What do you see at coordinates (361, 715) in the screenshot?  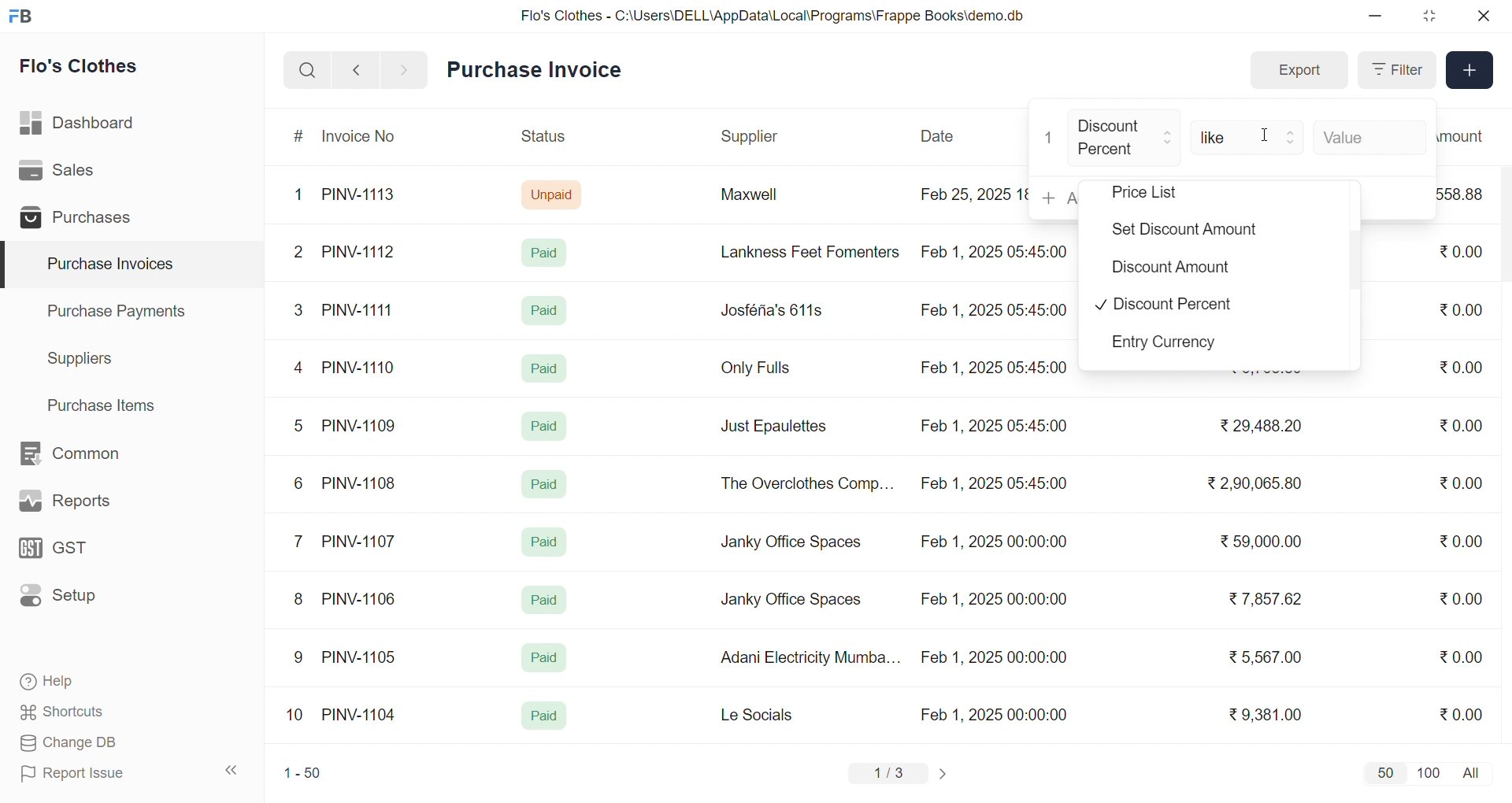 I see `PINV-1104` at bounding box center [361, 715].